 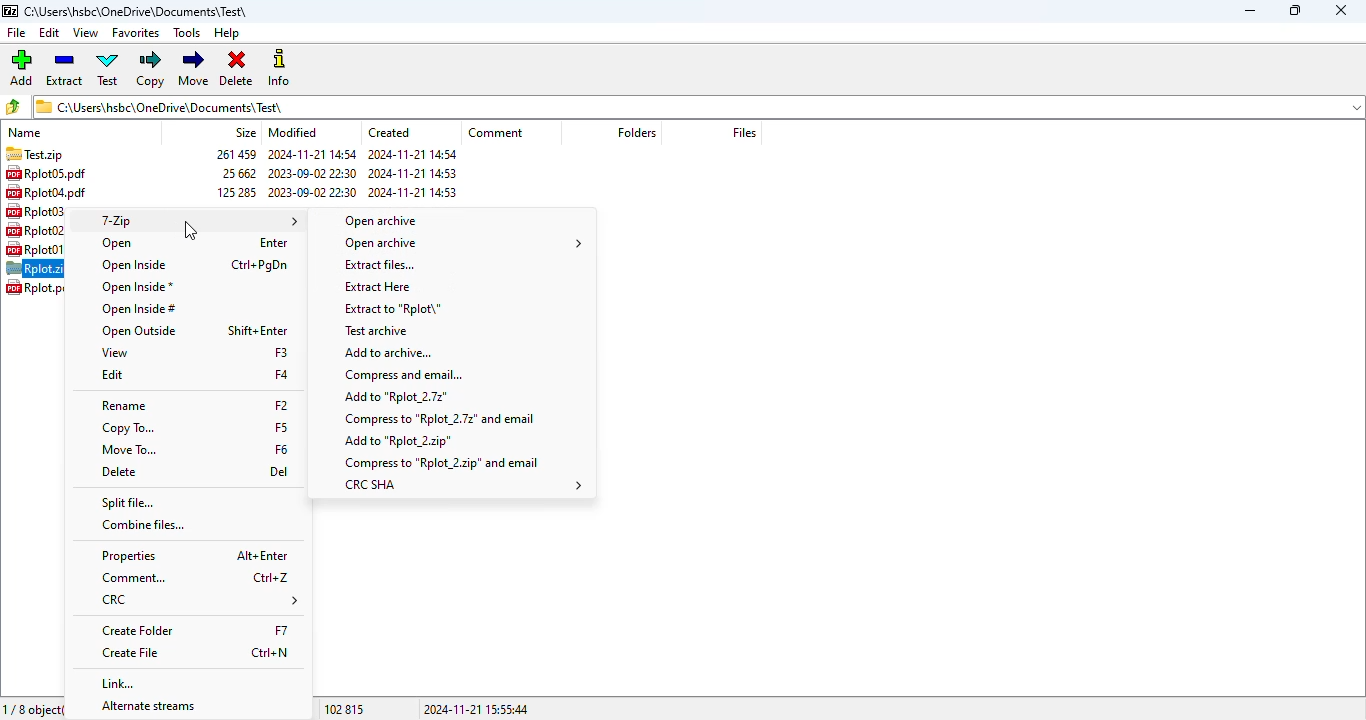 What do you see at coordinates (134, 265) in the screenshot?
I see `open inside` at bounding box center [134, 265].